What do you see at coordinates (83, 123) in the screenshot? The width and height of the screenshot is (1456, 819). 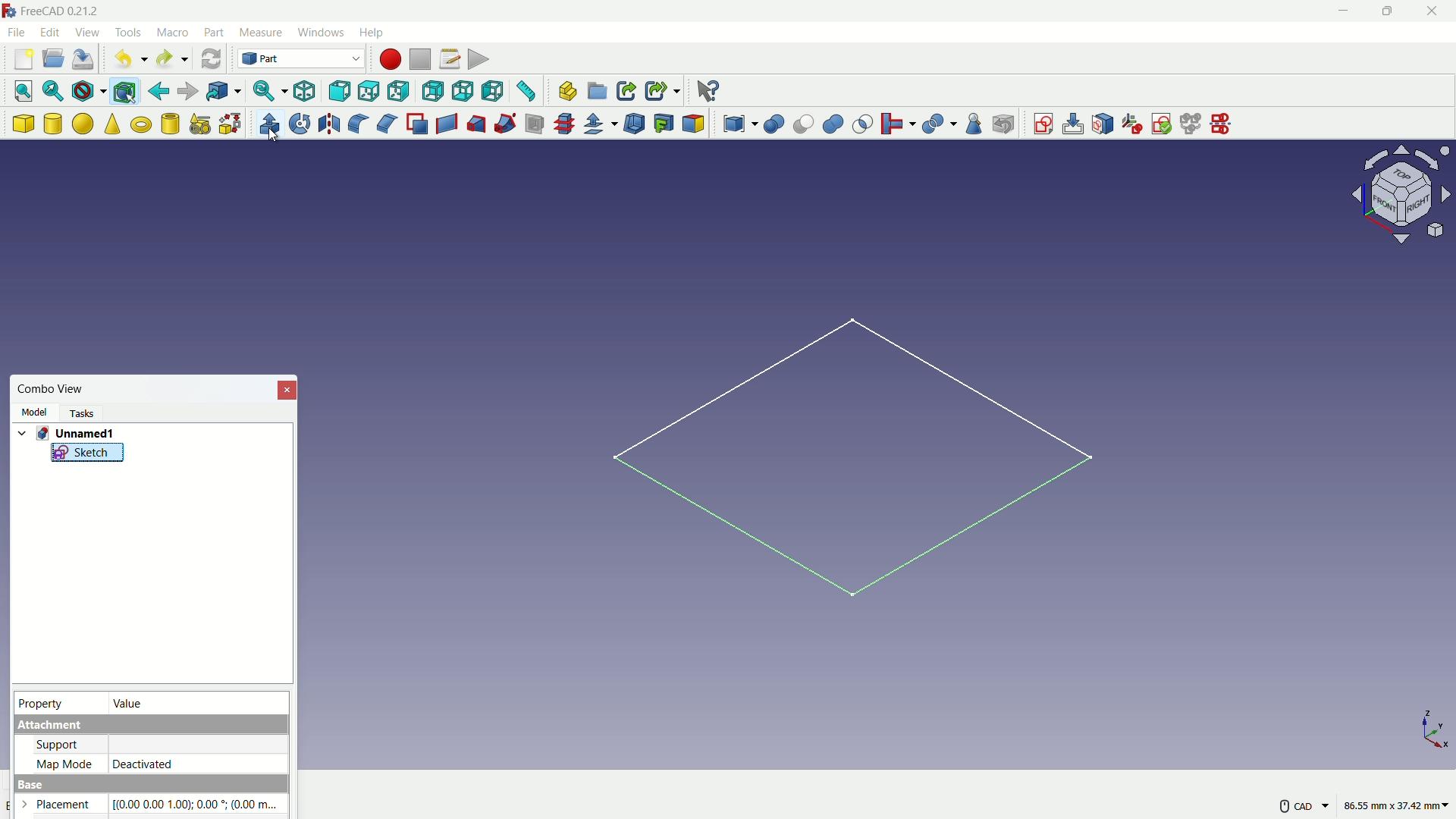 I see `sphere` at bounding box center [83, 123].